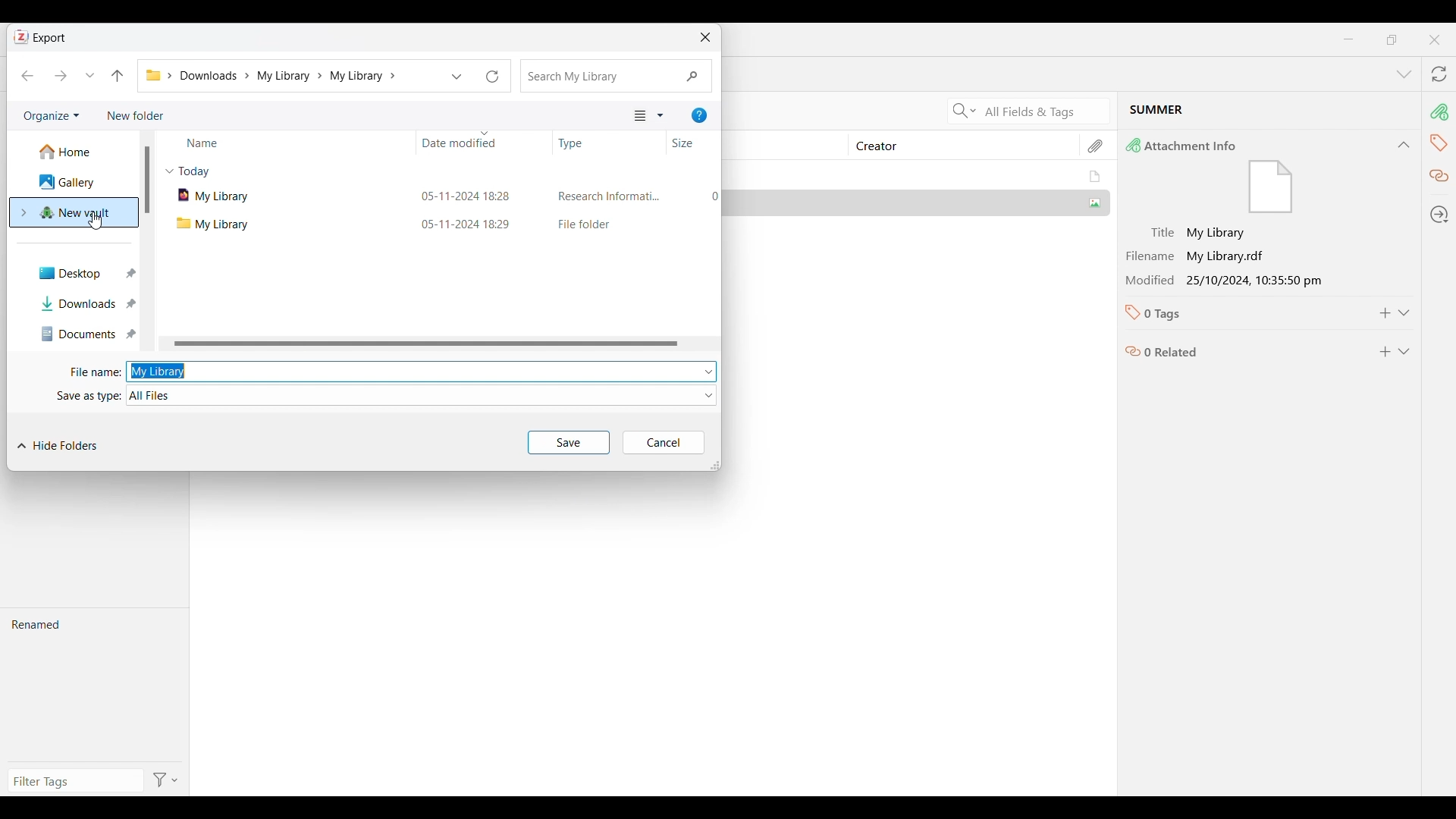 The image size is (1456, 819). I want to click on Search Criteria, so click(962, 111).